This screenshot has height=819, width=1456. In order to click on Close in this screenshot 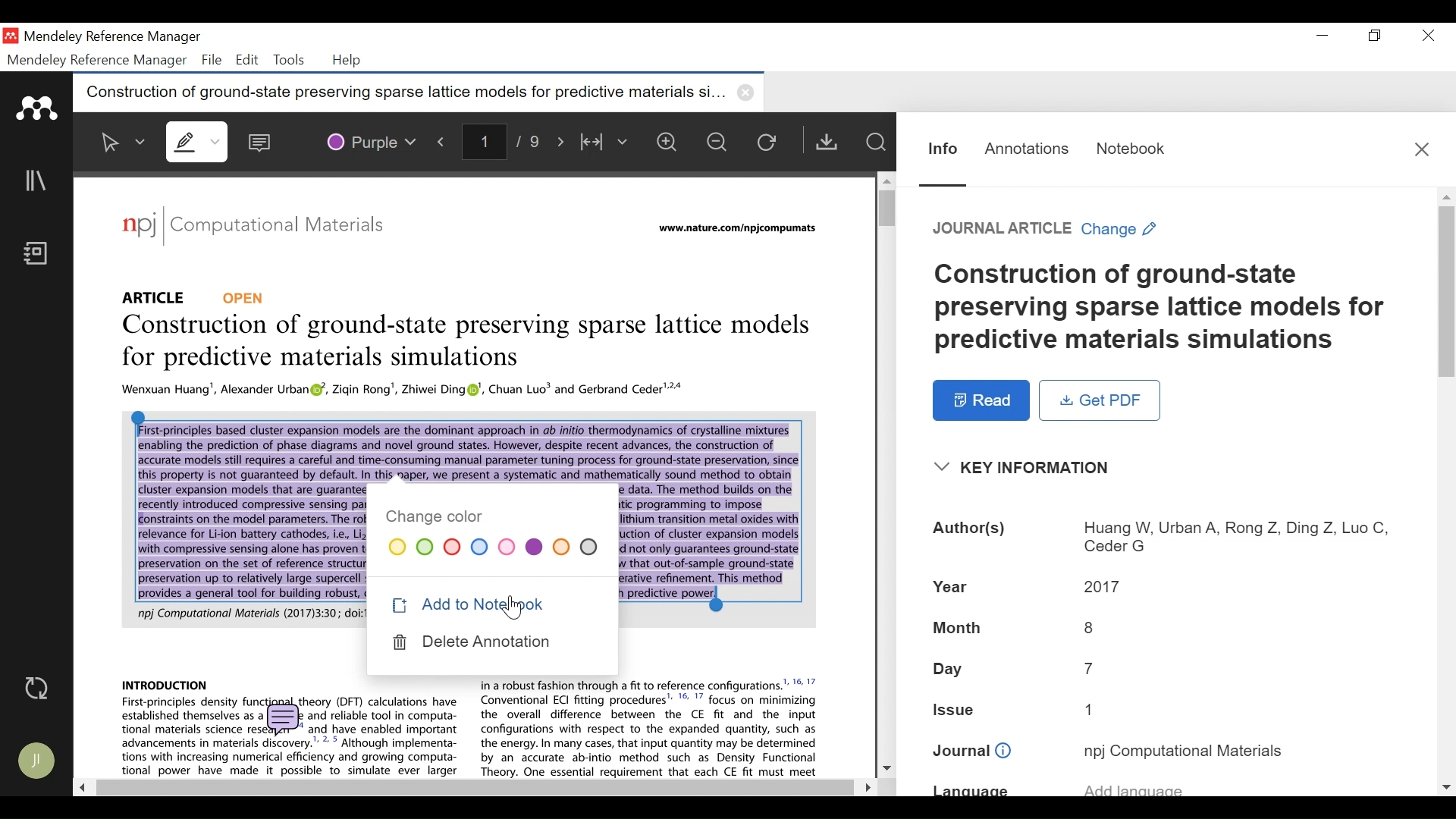, I will do `click(1422, 149)`.